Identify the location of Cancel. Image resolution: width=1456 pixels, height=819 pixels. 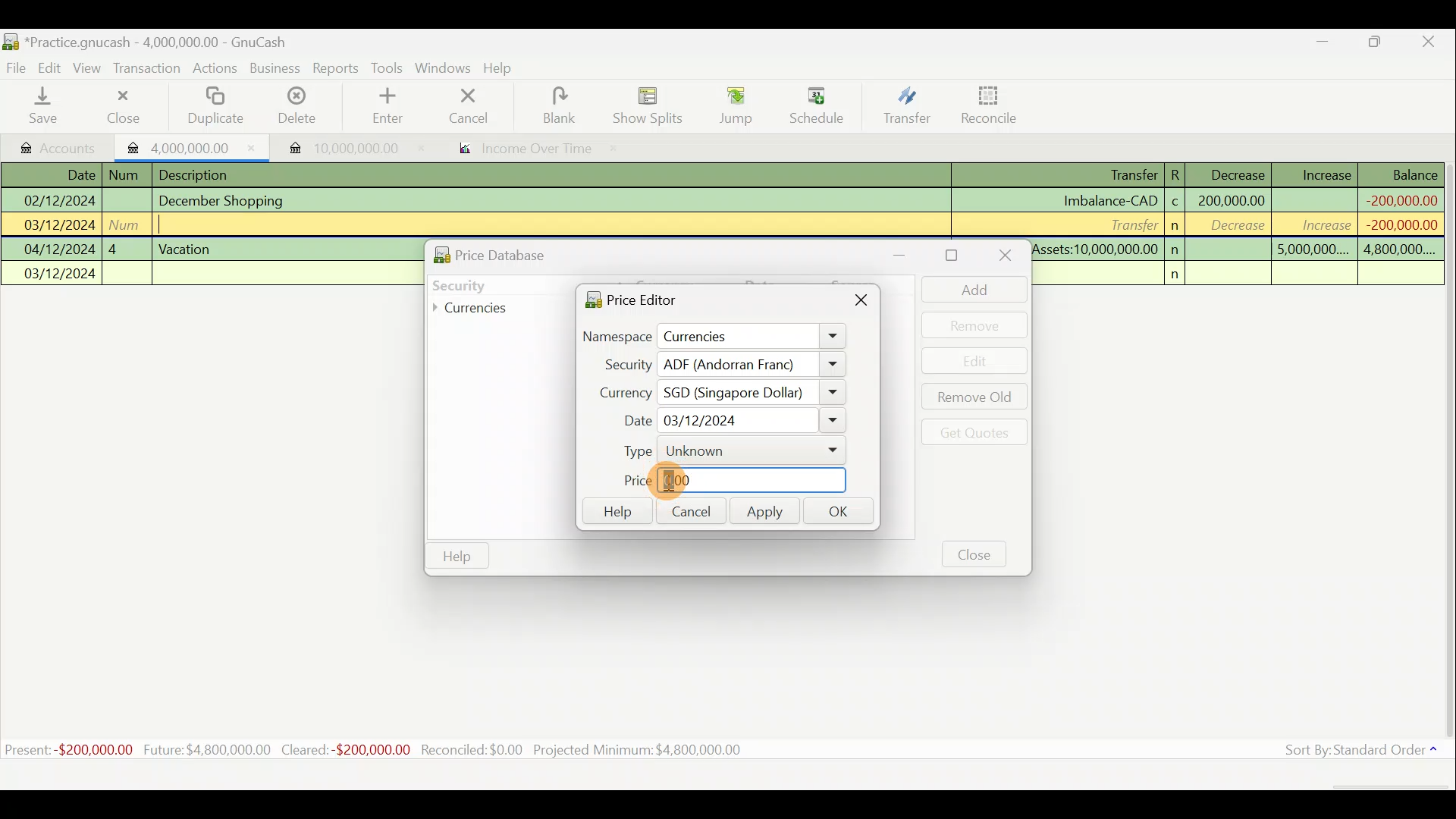
(689, 510).